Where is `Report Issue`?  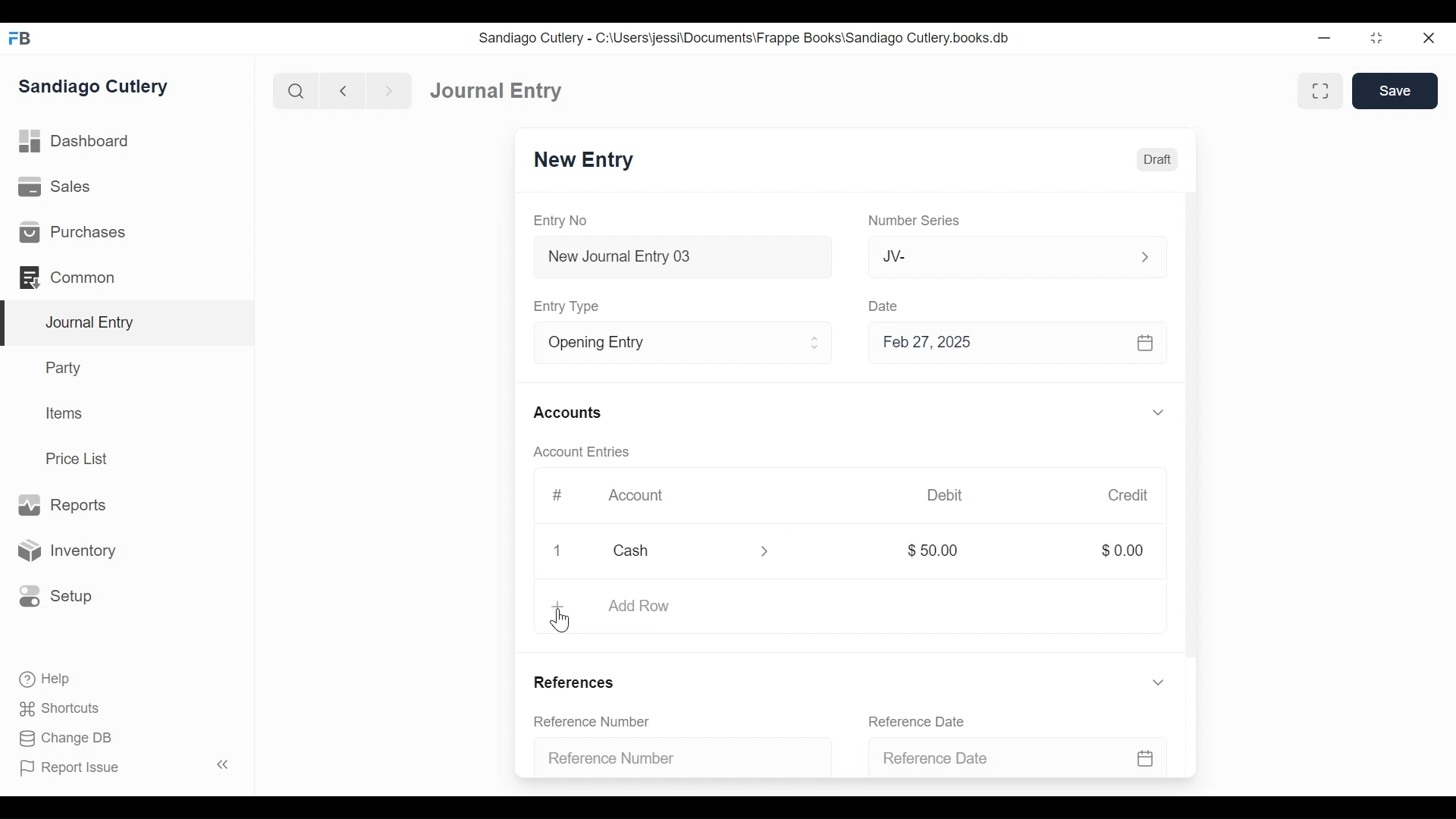
Report Issue is located at coordinates (71, 768).